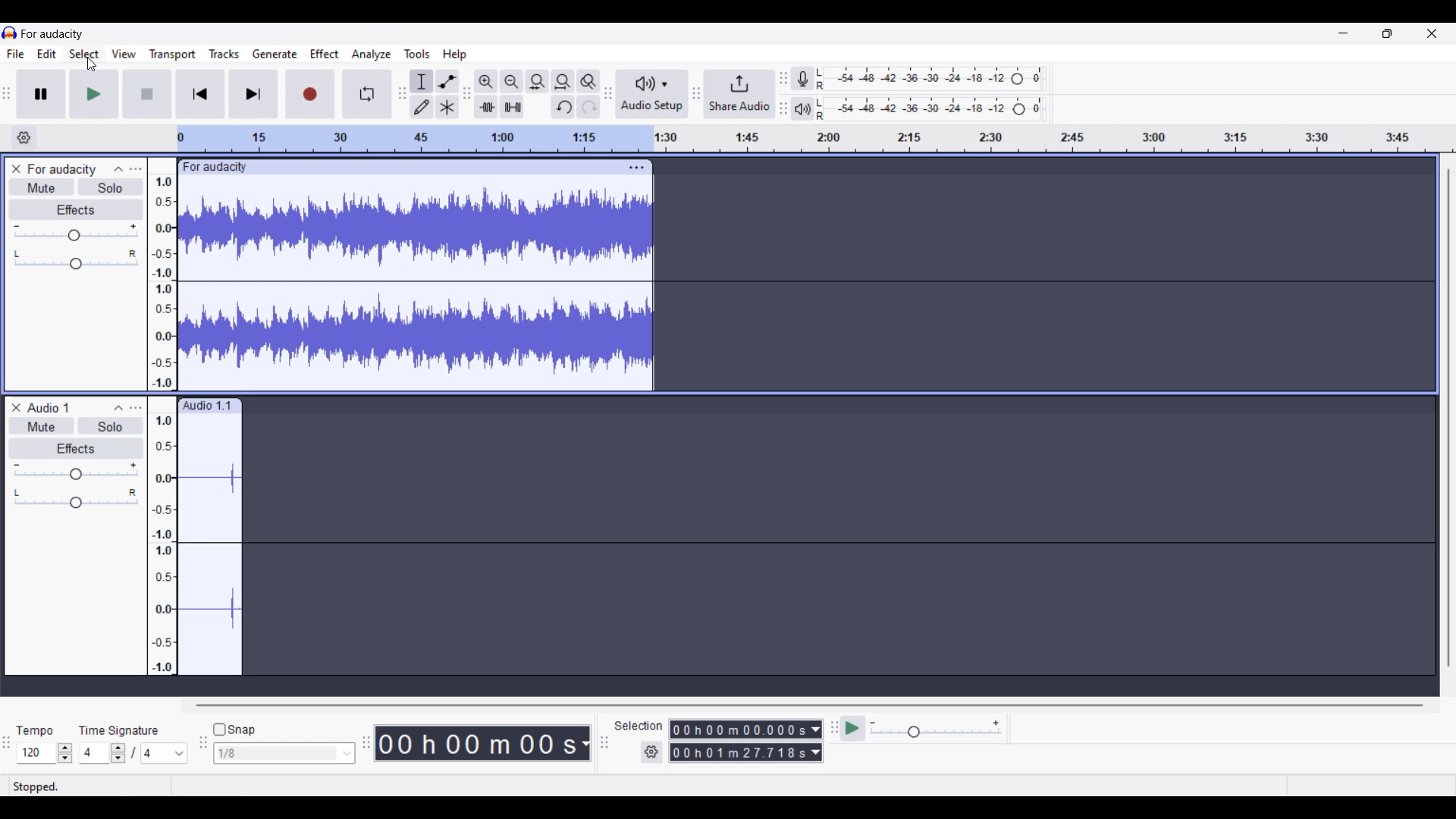 This screenshot has height=819, width=1456. I want to click on track control panel menu, so click(136, 408).